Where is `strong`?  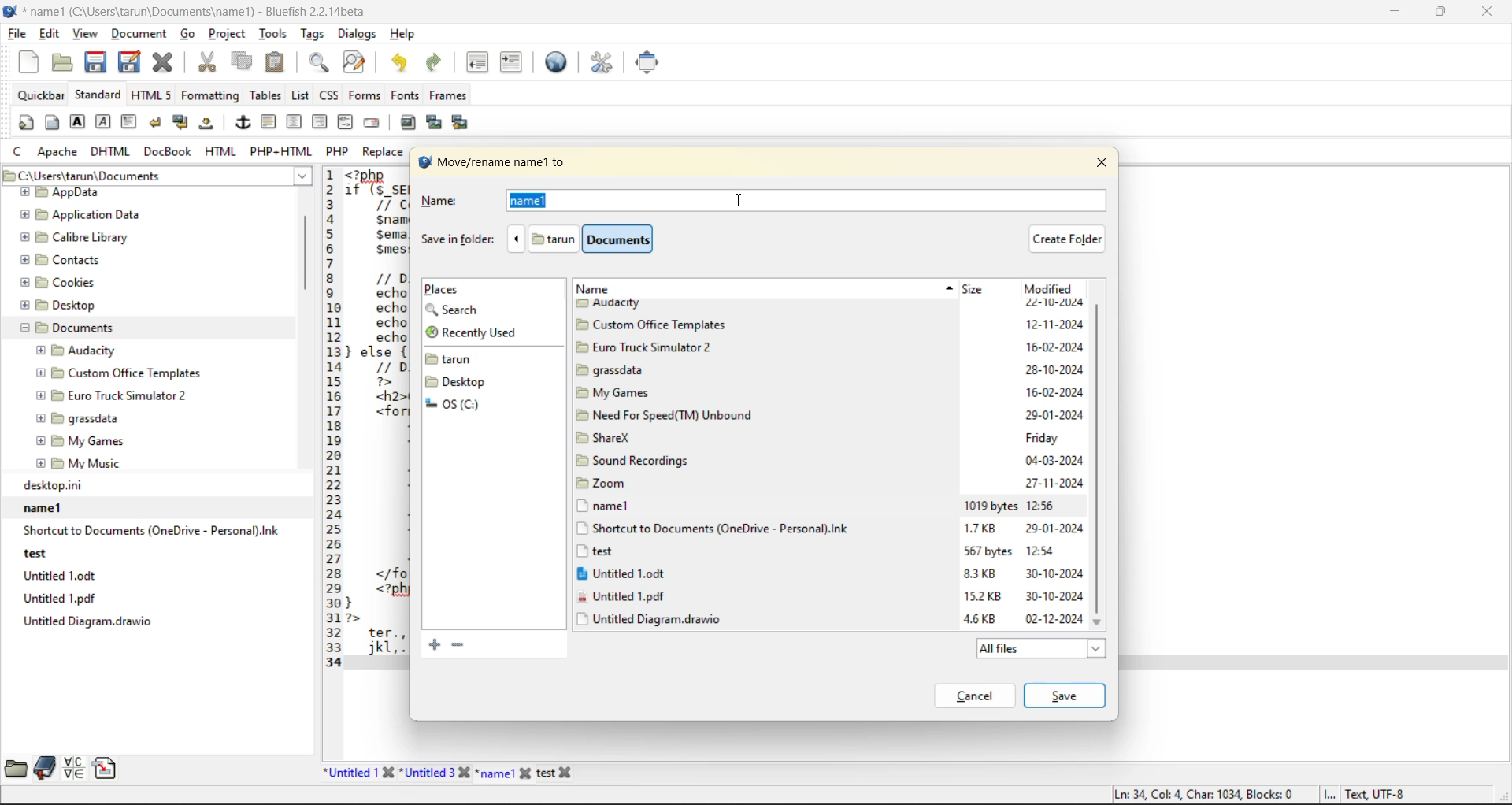 strong is located at coordinates (79, 122).